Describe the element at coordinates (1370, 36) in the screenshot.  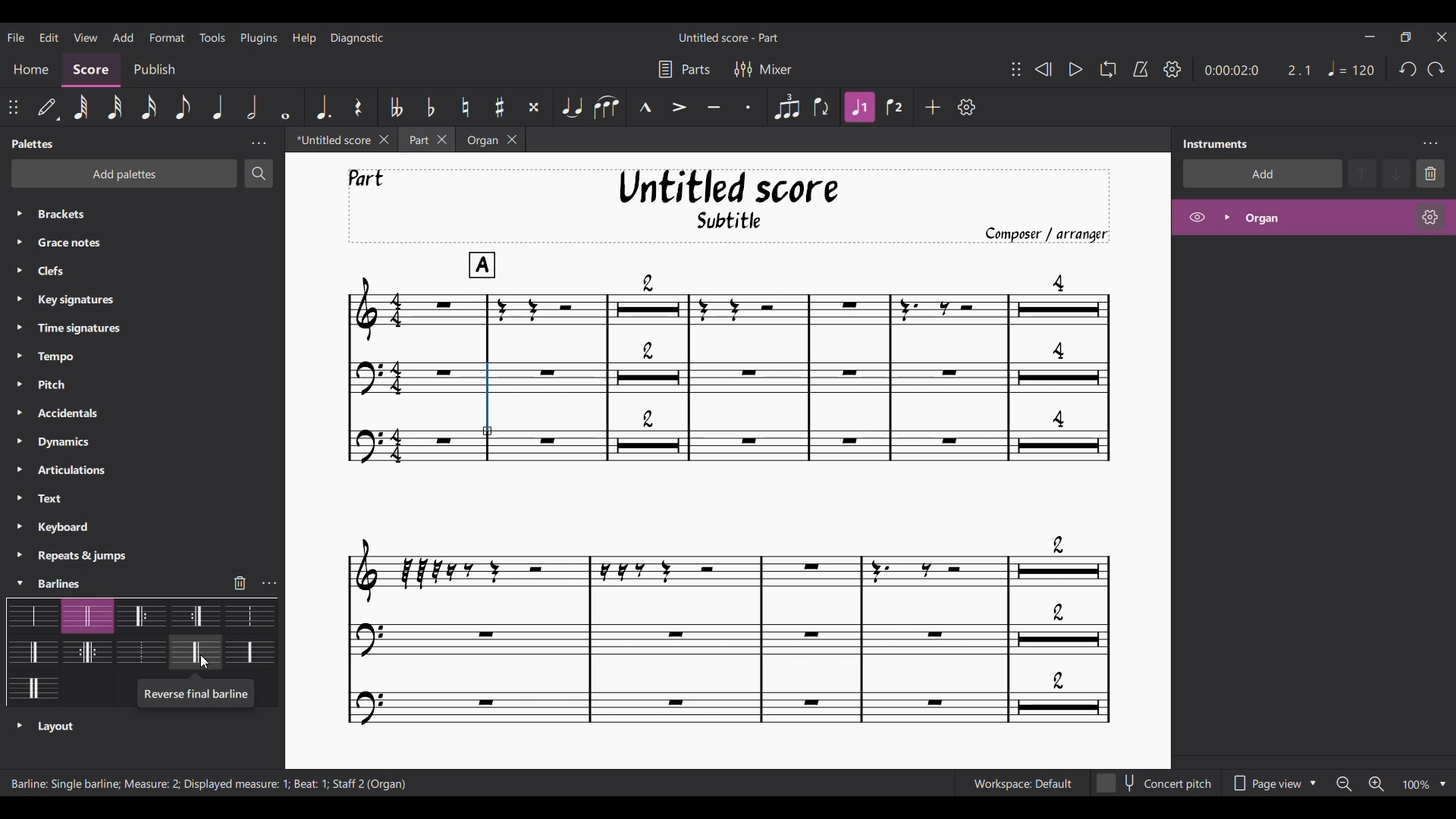
I see `Minimize` at that location.